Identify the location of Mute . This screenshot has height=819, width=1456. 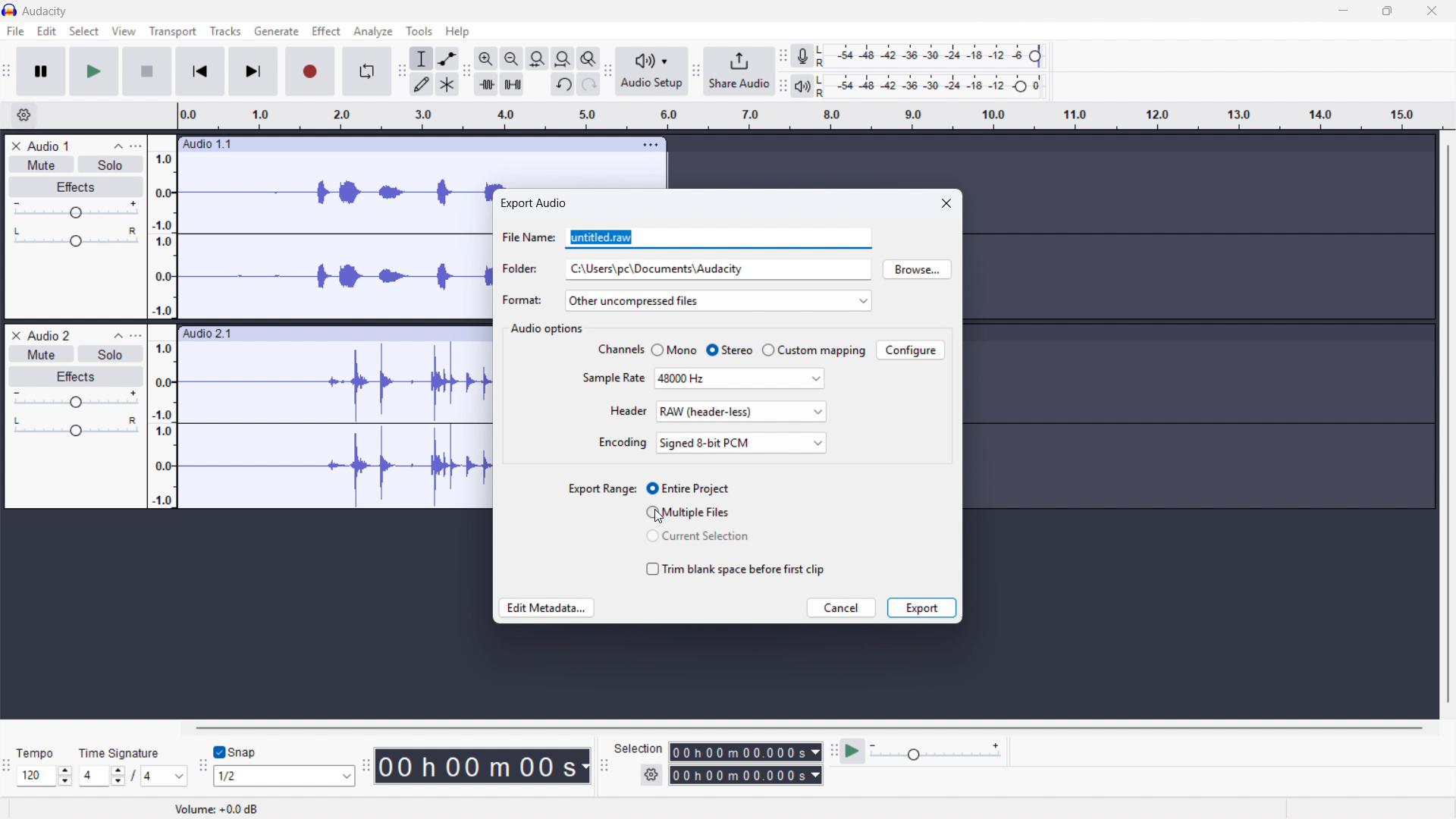
(42, 353).